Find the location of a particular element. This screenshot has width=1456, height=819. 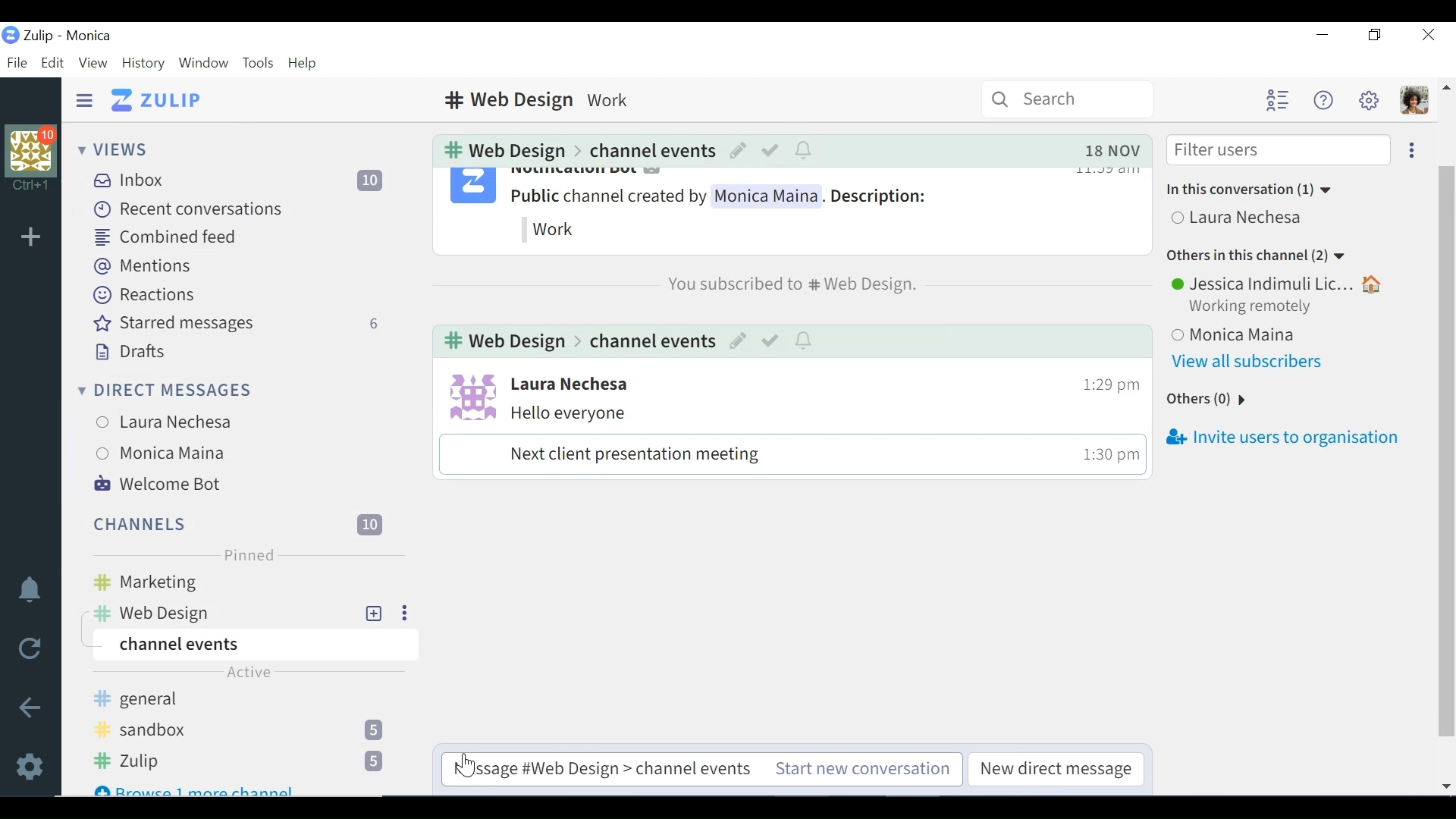

Channels menu is located at coordinates (235, 522).